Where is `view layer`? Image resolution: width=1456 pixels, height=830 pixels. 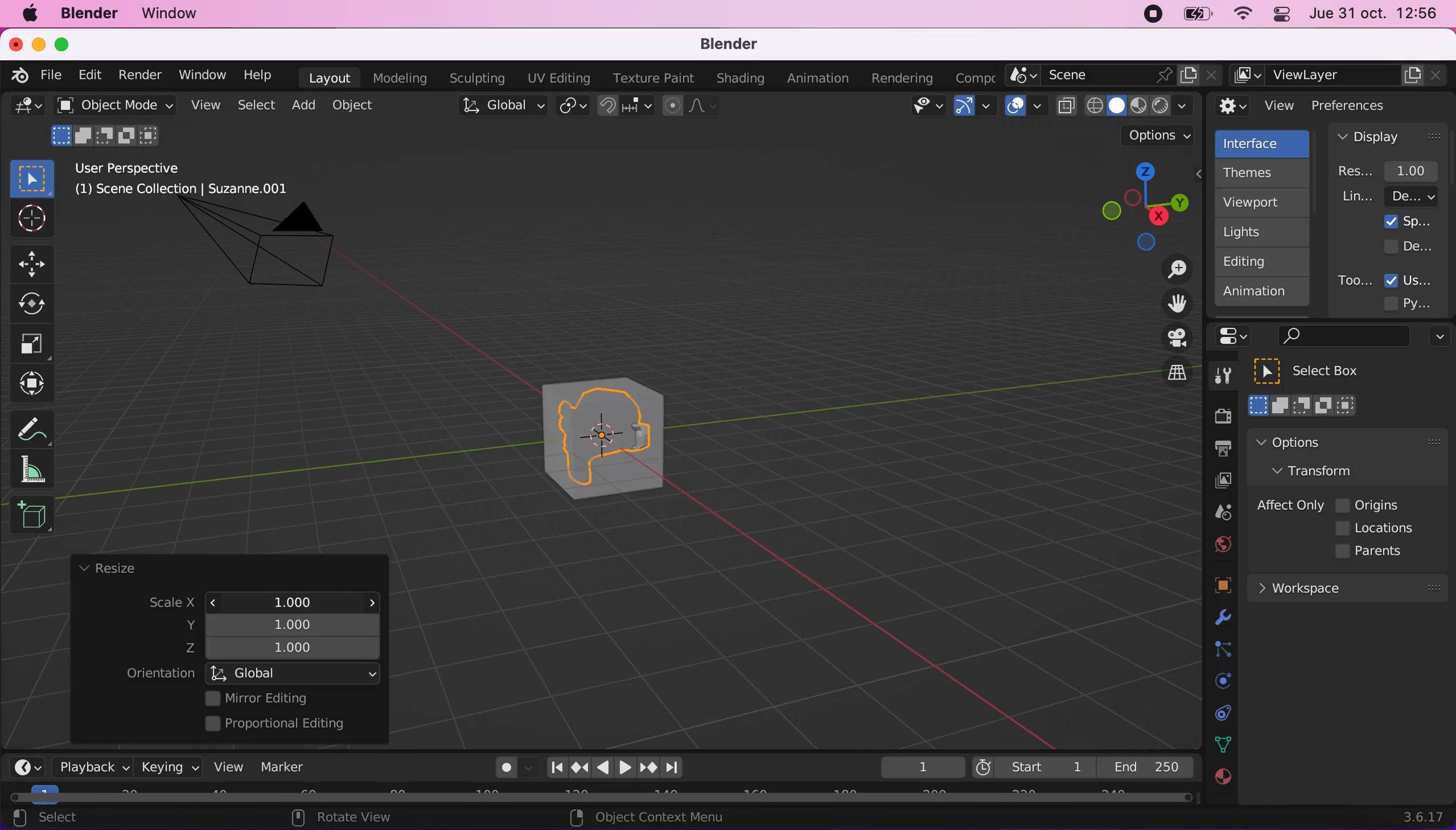 view layer is located at coordinates (1340, 76).